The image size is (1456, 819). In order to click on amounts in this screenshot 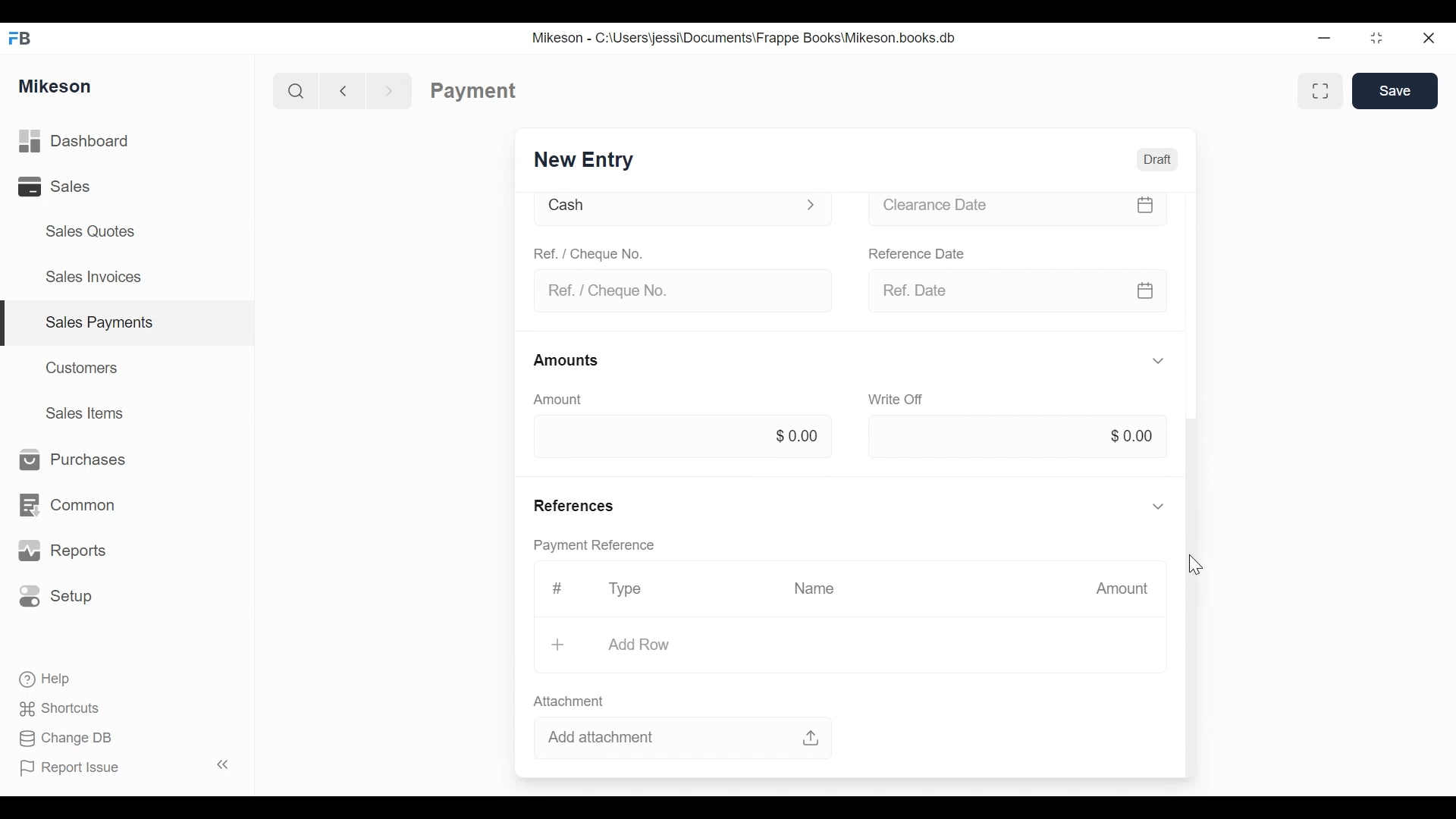, I will do `click(564, 360)`.